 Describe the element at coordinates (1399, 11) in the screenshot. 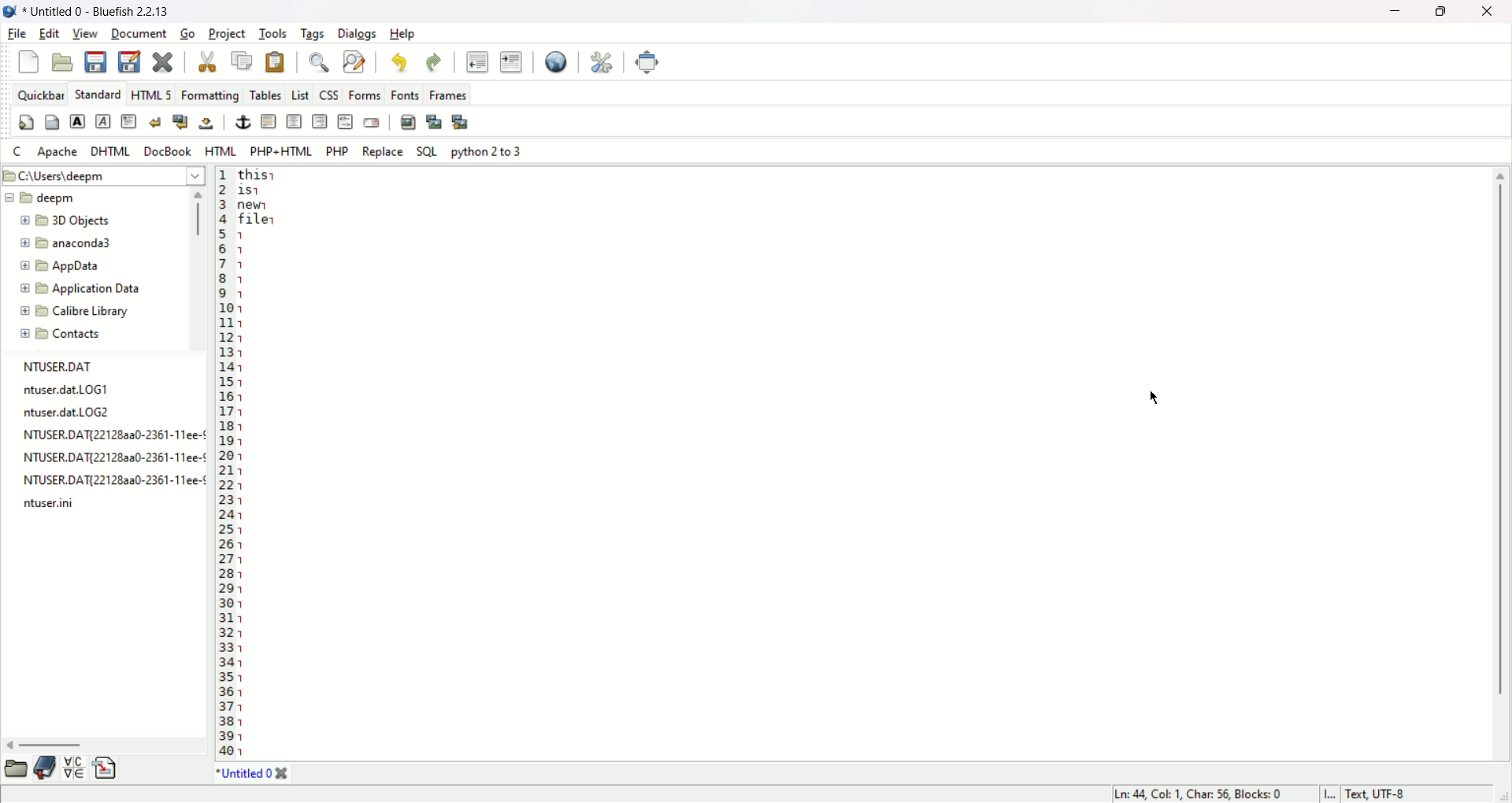

I see `minimize` at that location.